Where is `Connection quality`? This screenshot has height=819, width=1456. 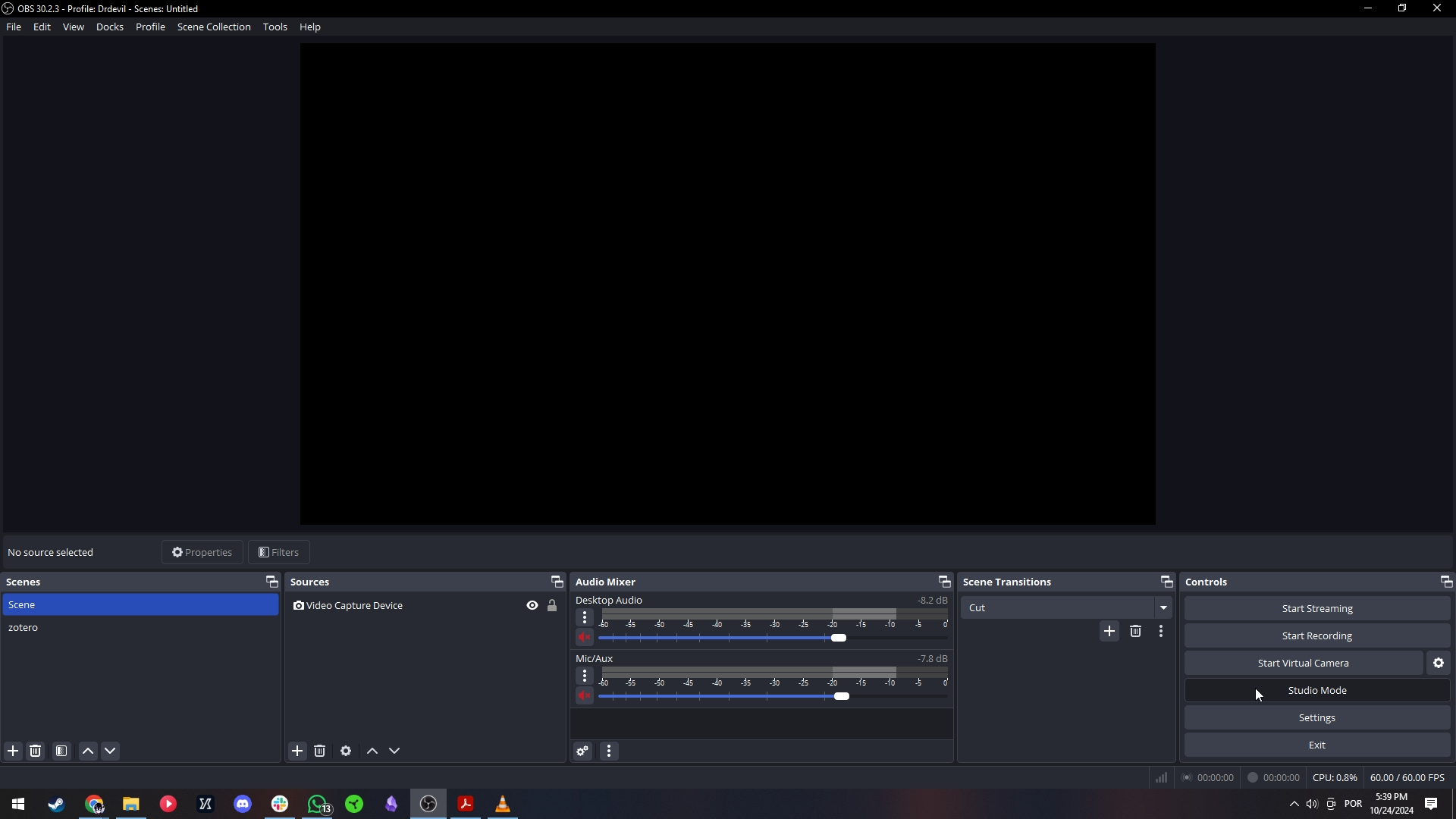 Connection quality is located at coordinates (1161, 777).